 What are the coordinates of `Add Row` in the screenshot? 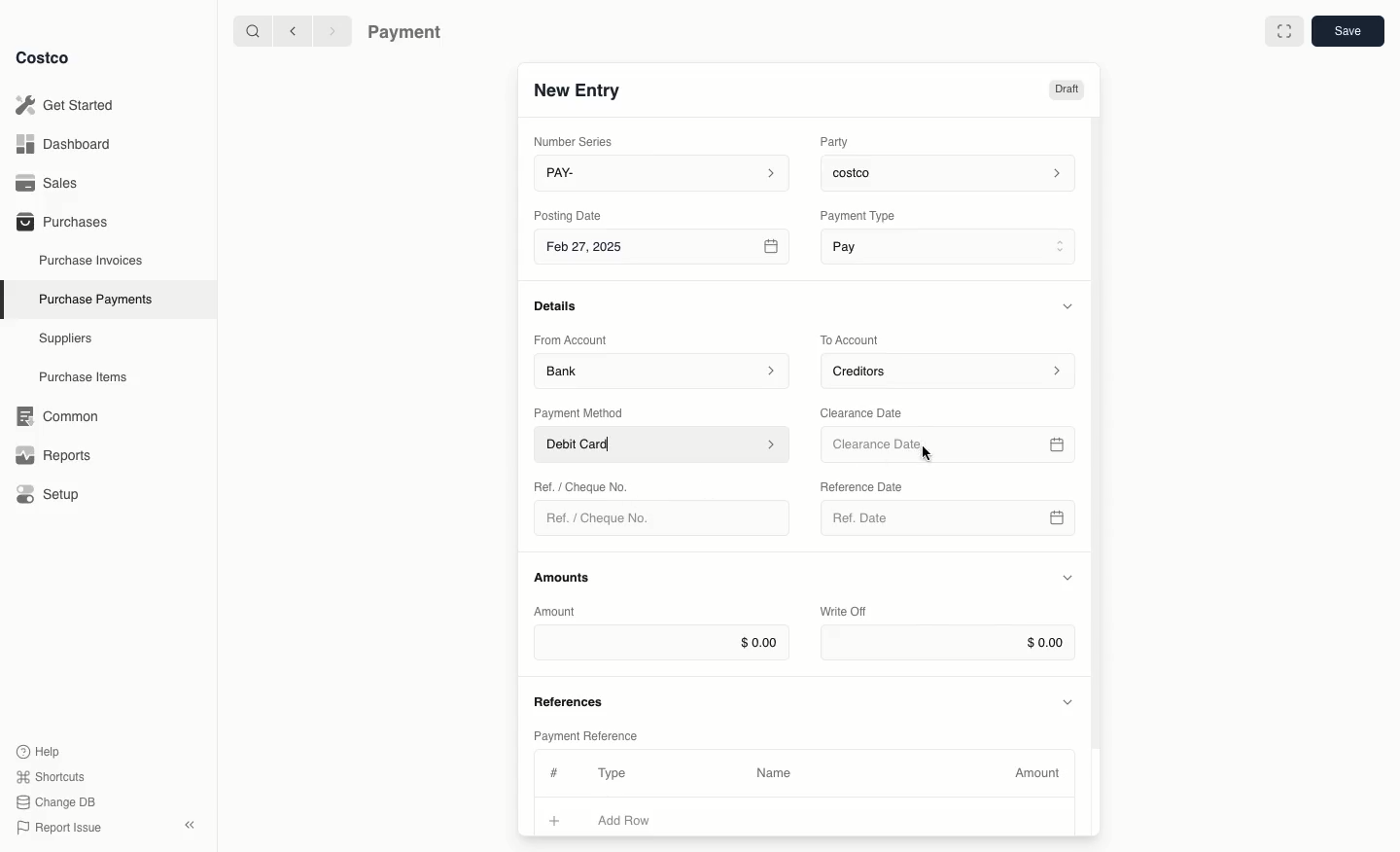 It's located at (637, 820).